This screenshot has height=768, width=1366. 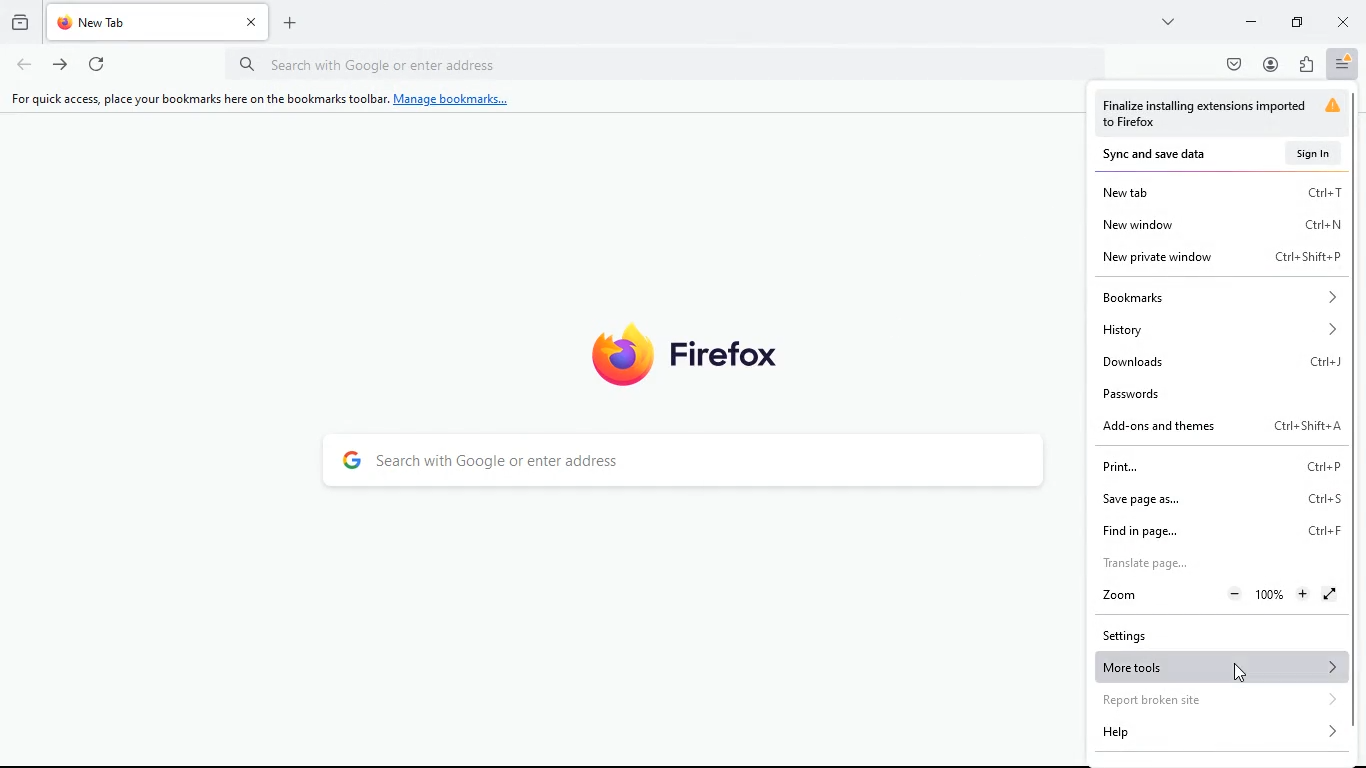 What do you see at coordinates (160, 24) in the screenshot?
I see `tab` at bounding box center [160, 24].